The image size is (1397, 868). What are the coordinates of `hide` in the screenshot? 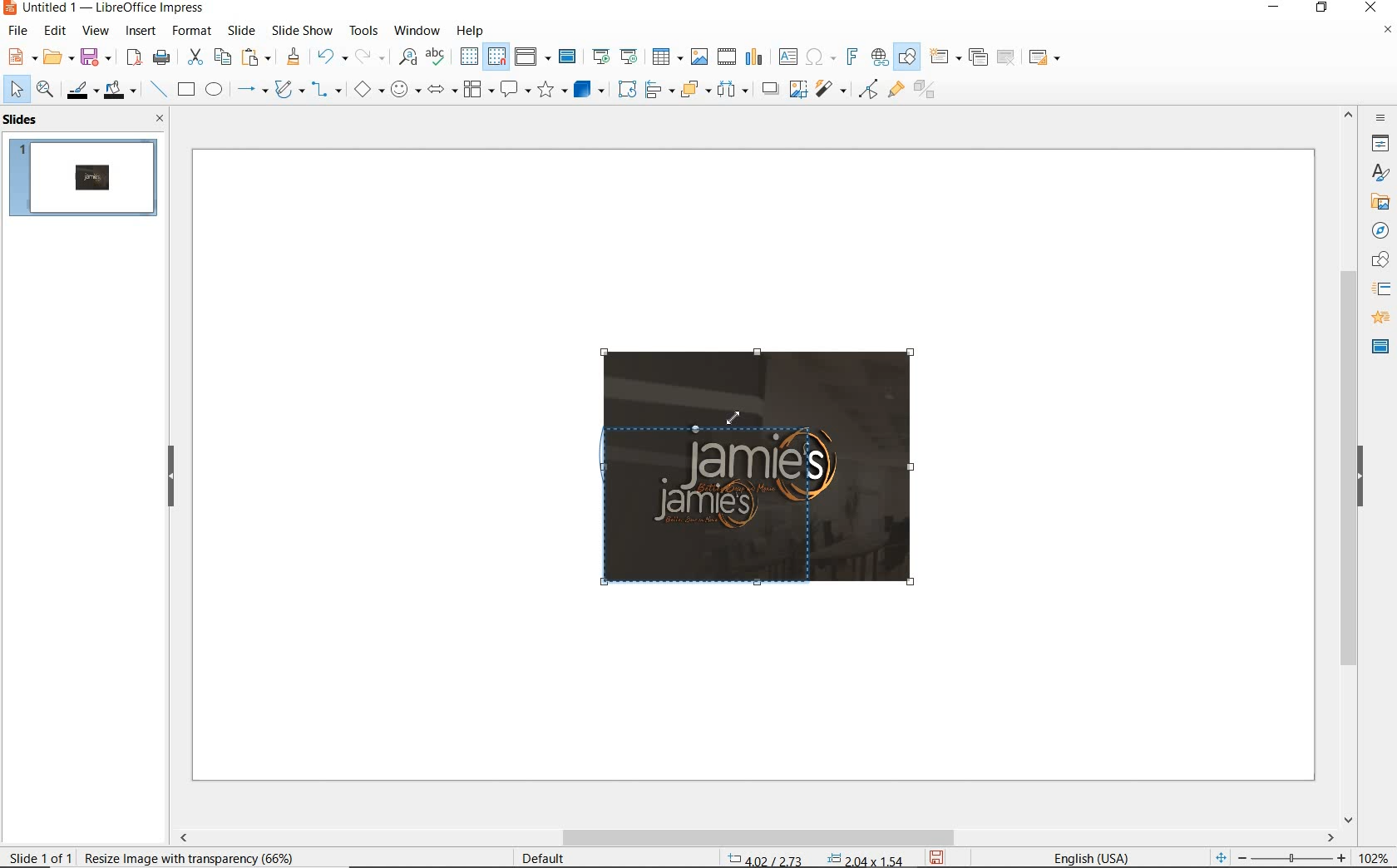 It's located at (171, 477).